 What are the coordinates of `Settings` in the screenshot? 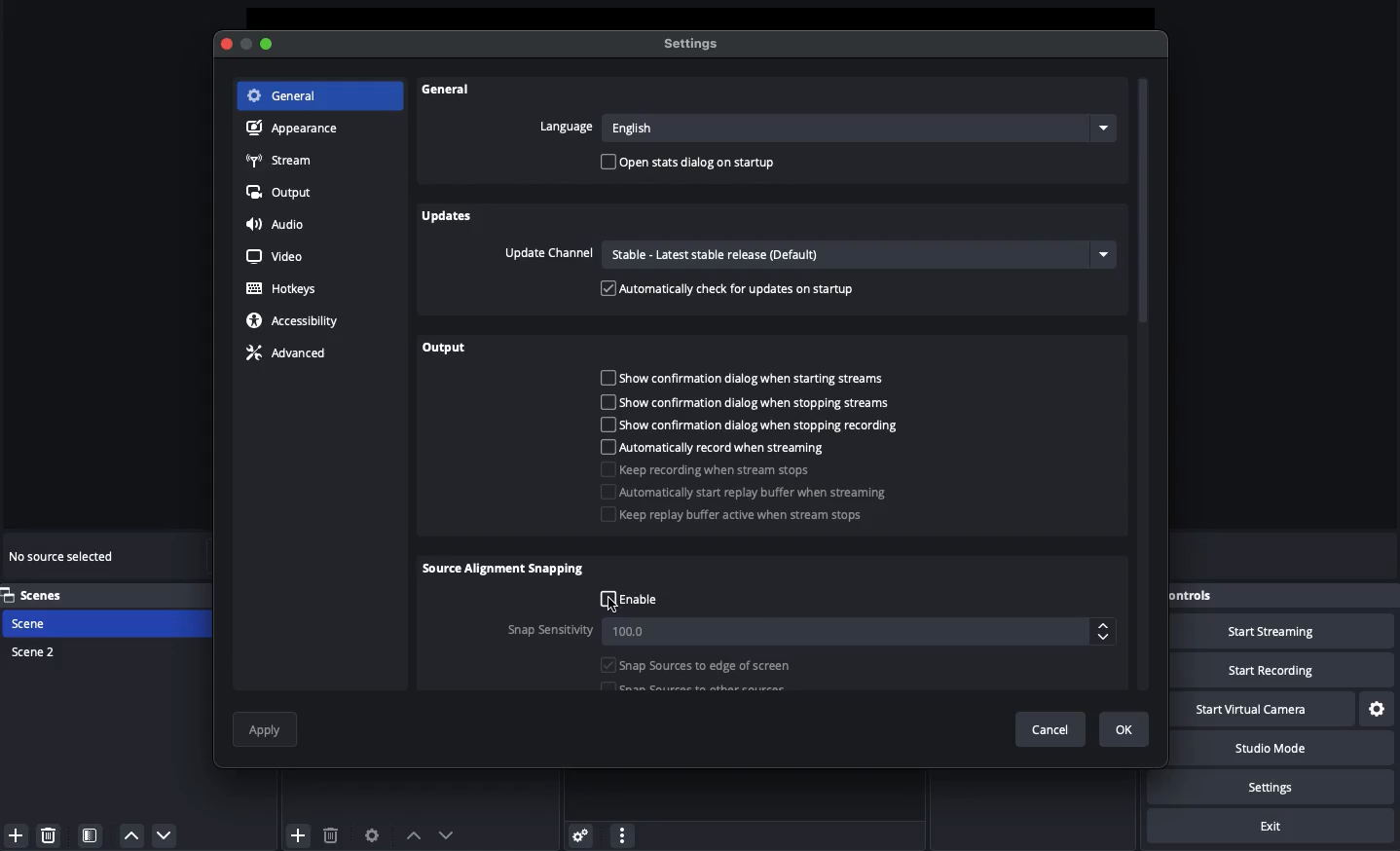 It's located at (1379, 707).